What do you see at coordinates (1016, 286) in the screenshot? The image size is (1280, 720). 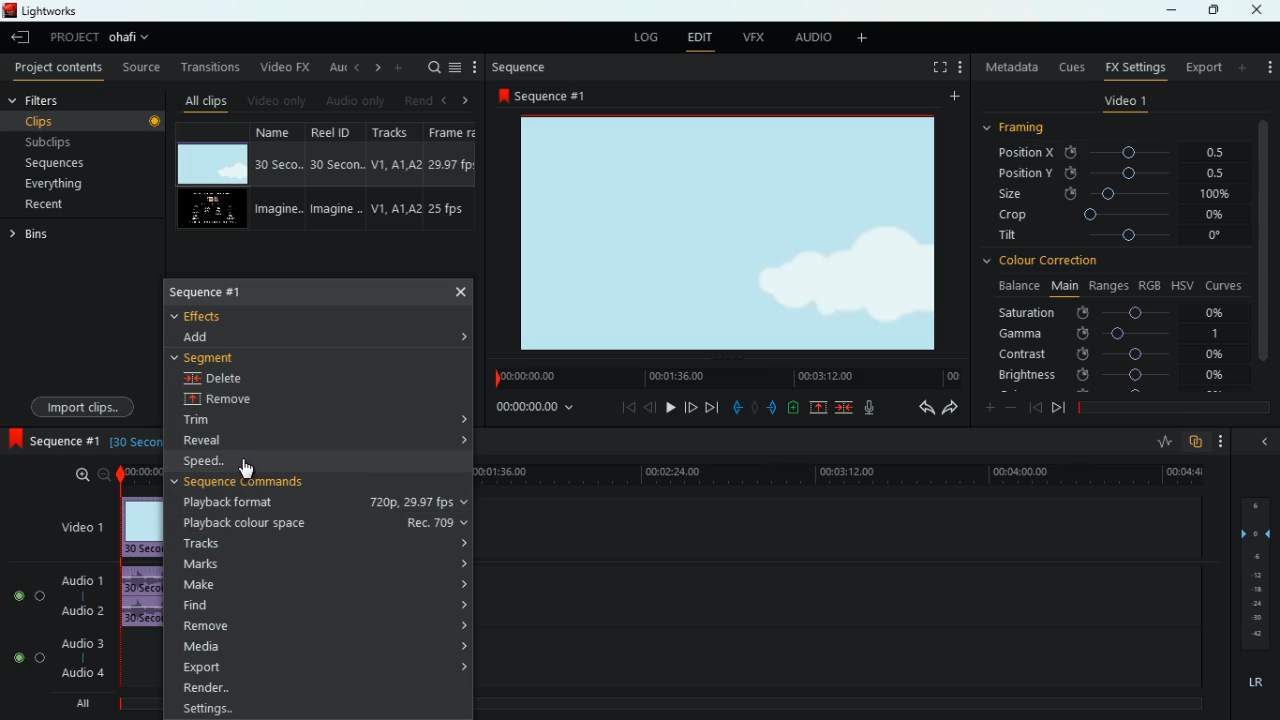 I see `balance` at bounding box center [1016, 286].